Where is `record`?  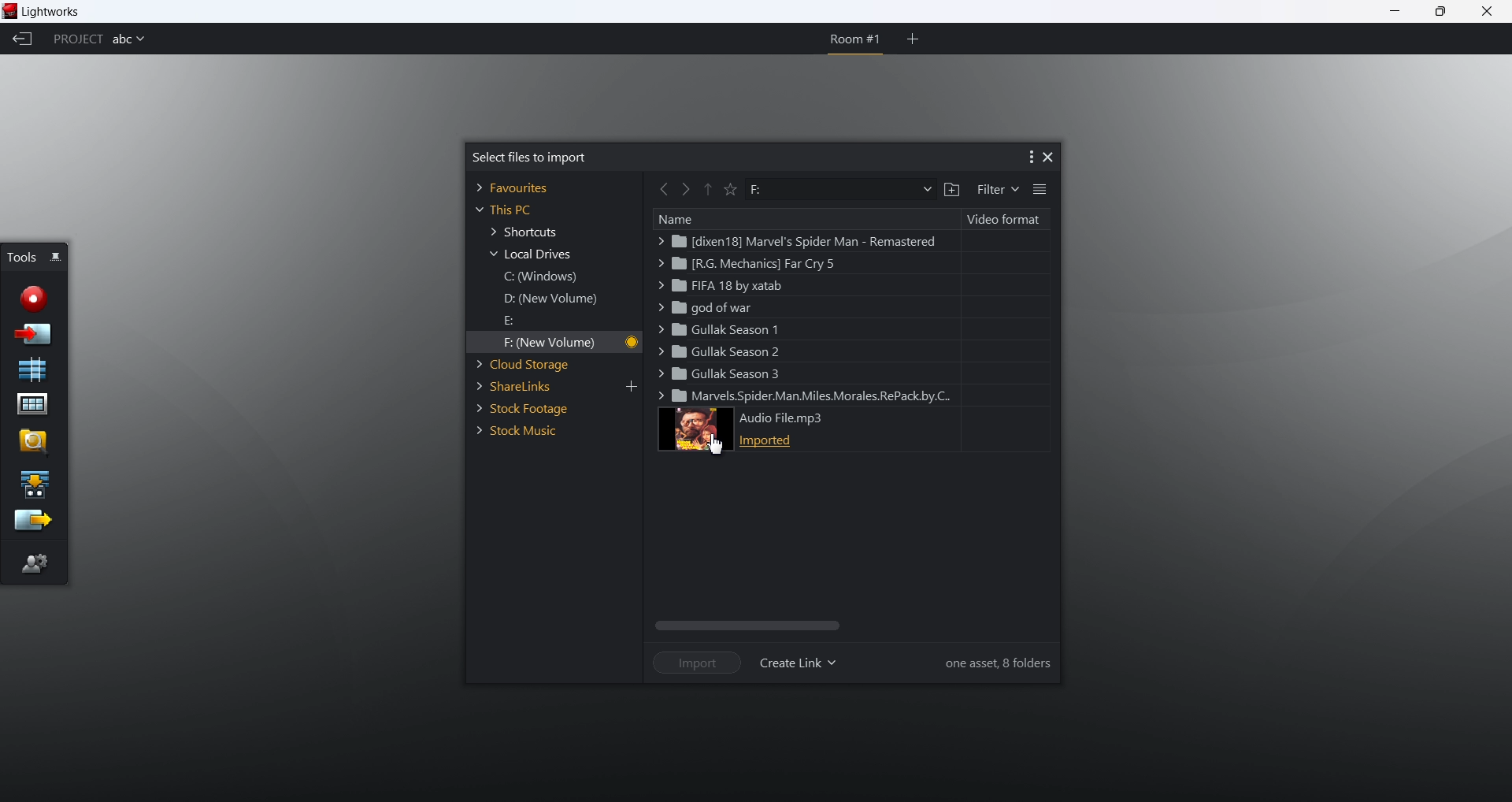
record is located at coordinates (33, 295).